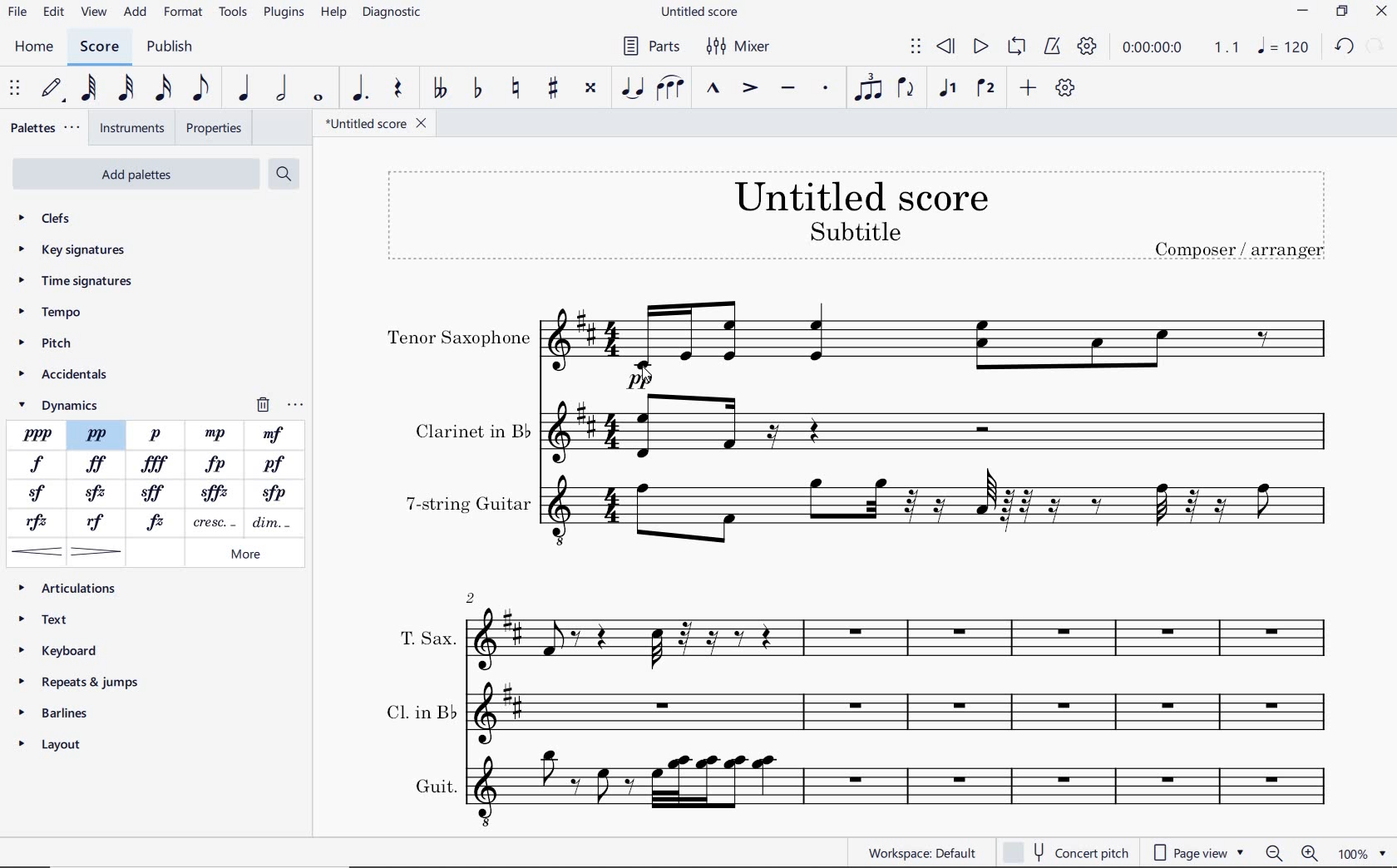  I want to click on Tenor Saxophone, so click(942, 345).